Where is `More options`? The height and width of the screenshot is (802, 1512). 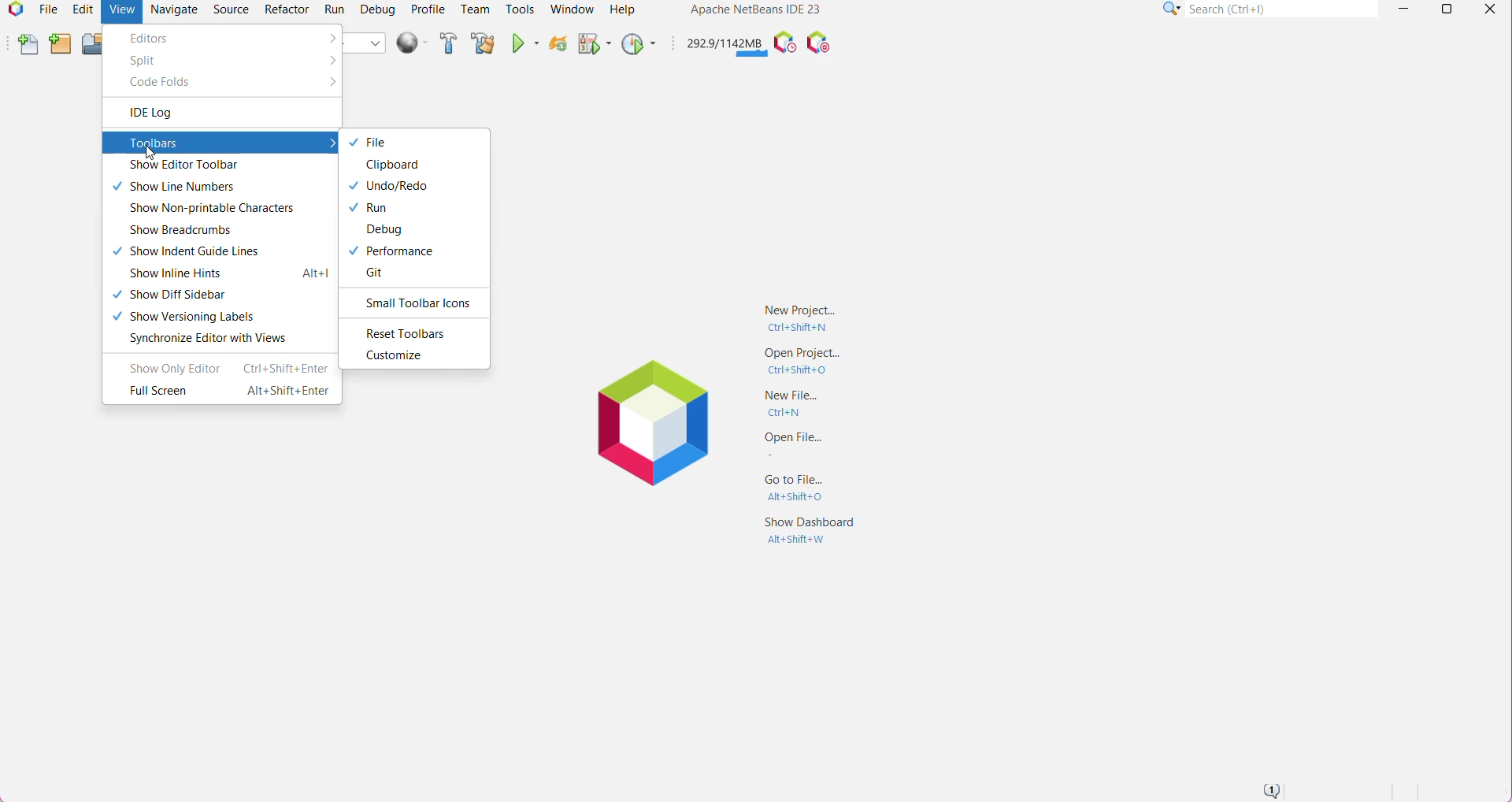 More options is located at coordinates (328, 60).